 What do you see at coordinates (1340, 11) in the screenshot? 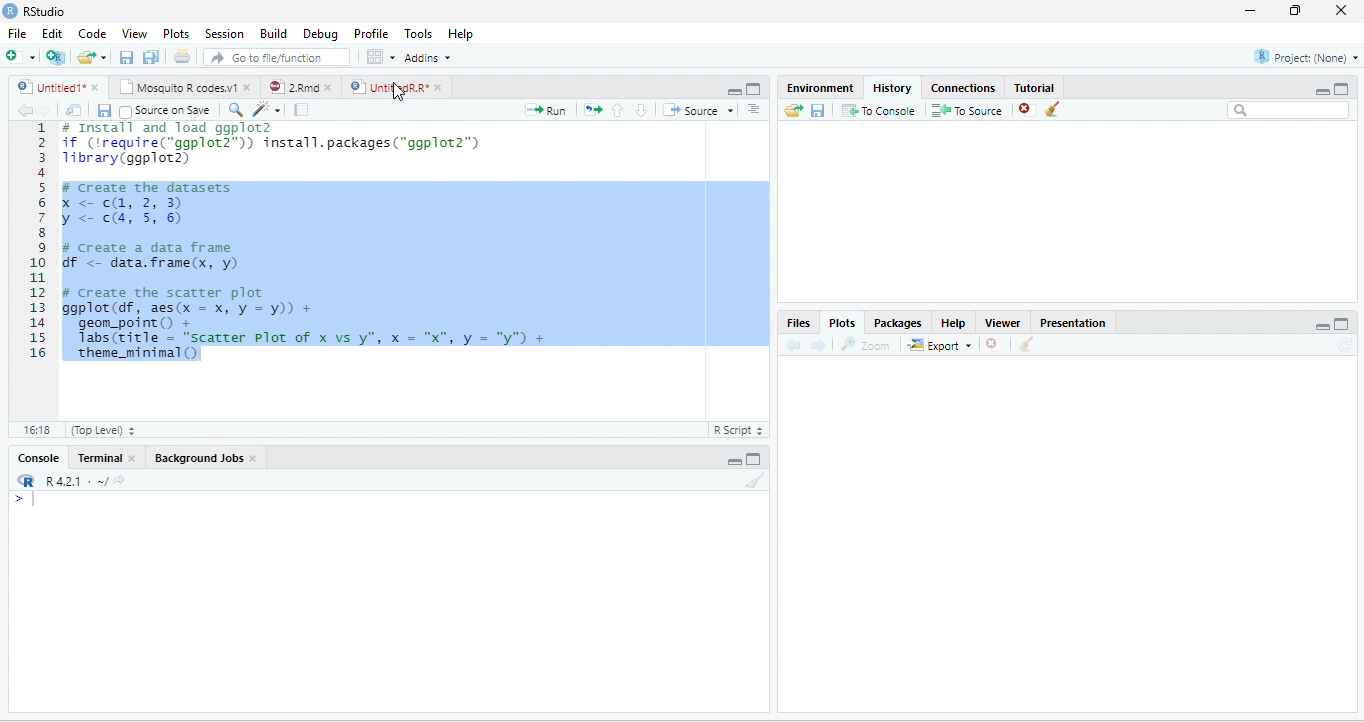
I see `close` at bounding box center [1340, 11].